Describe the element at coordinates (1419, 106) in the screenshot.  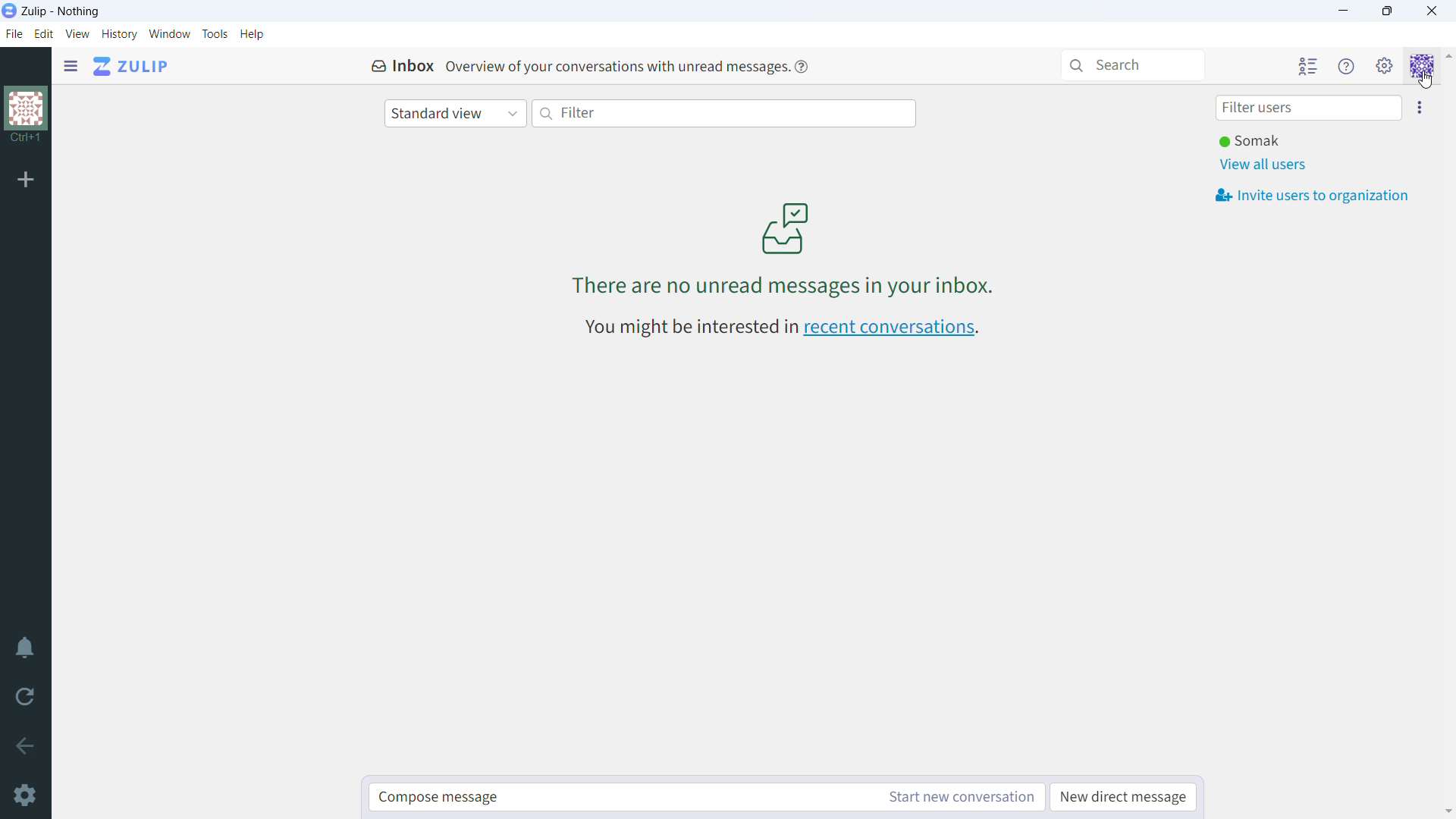
I see `invite users to organization` at that location.